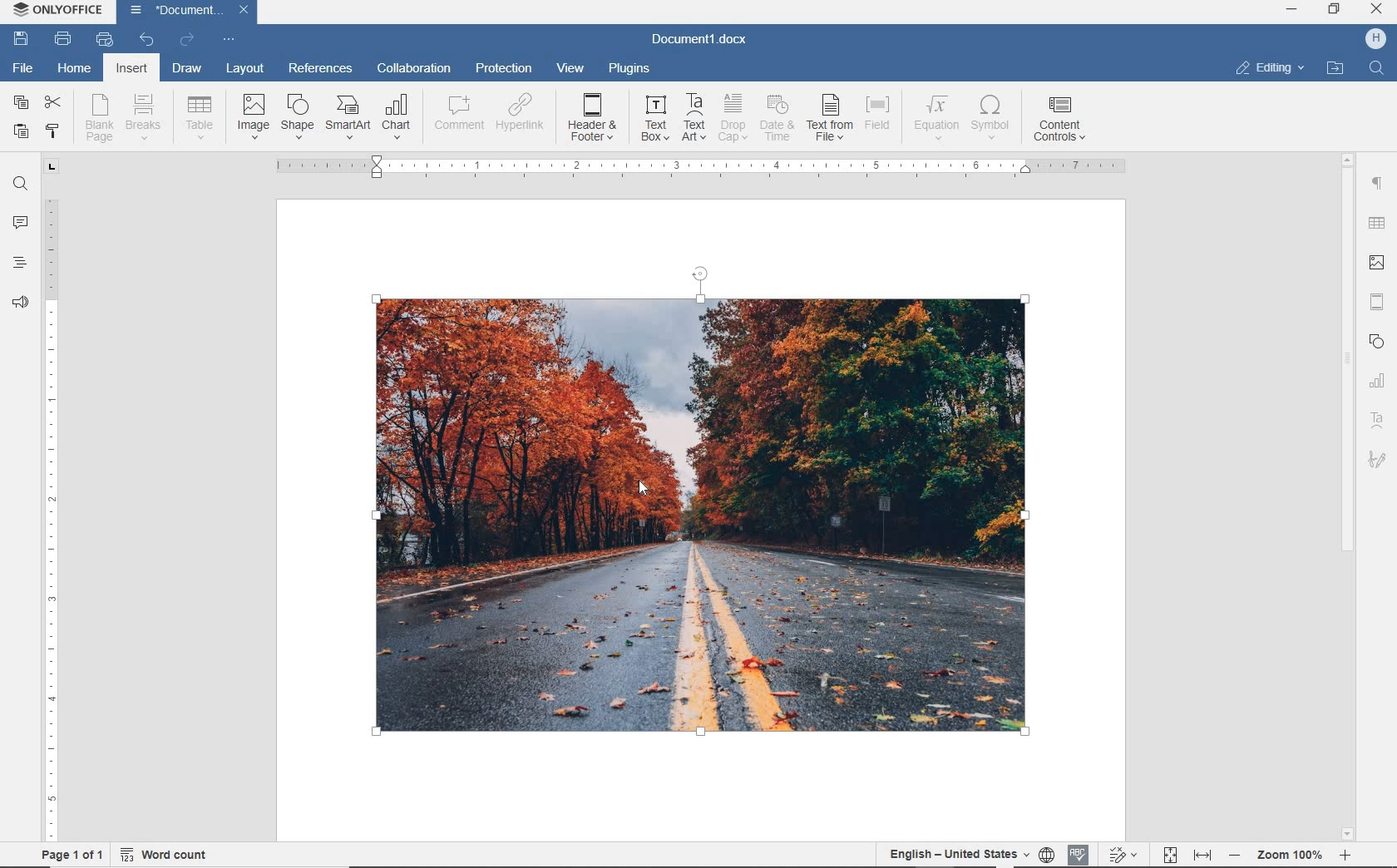 This screenshot has height=868, width=1397. What do you see at coordinates (1292, 856) in the screenshot?
I see `- zoom 100% +(zoom out or zoom in)` at bounding box center [1292, 856].